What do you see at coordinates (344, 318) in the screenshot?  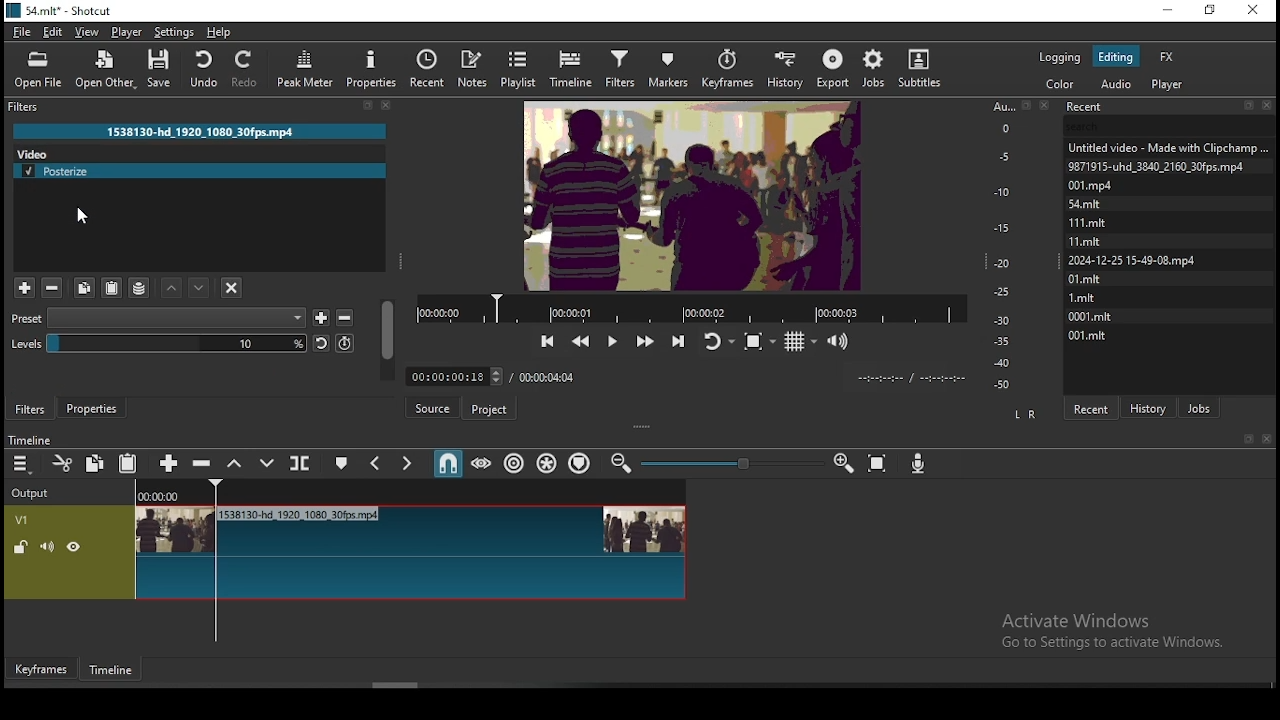 I see `delete filter` at bounding box center [344, 318].